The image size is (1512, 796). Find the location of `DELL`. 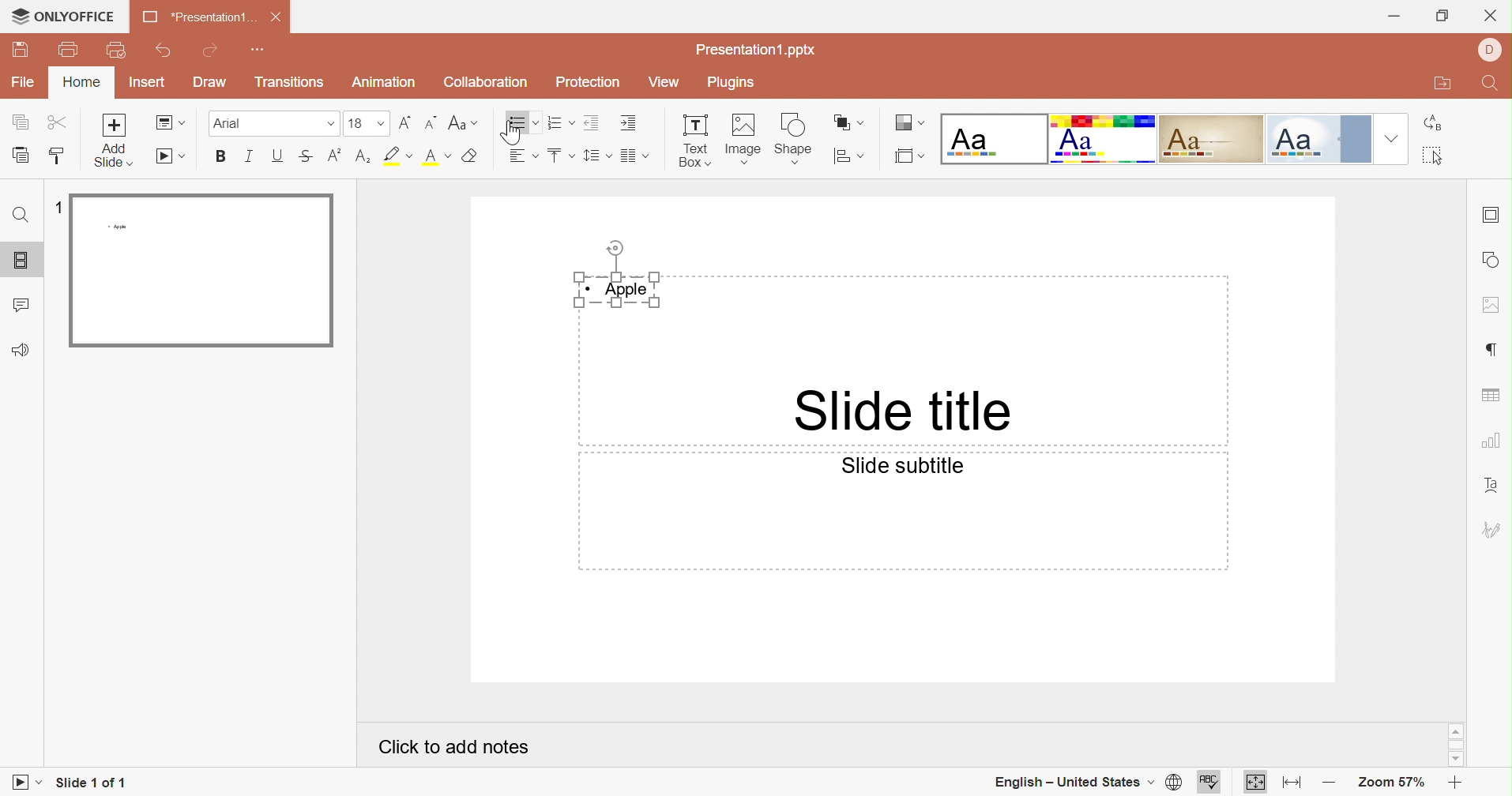

DELL is located at coordinates (1494, 51).